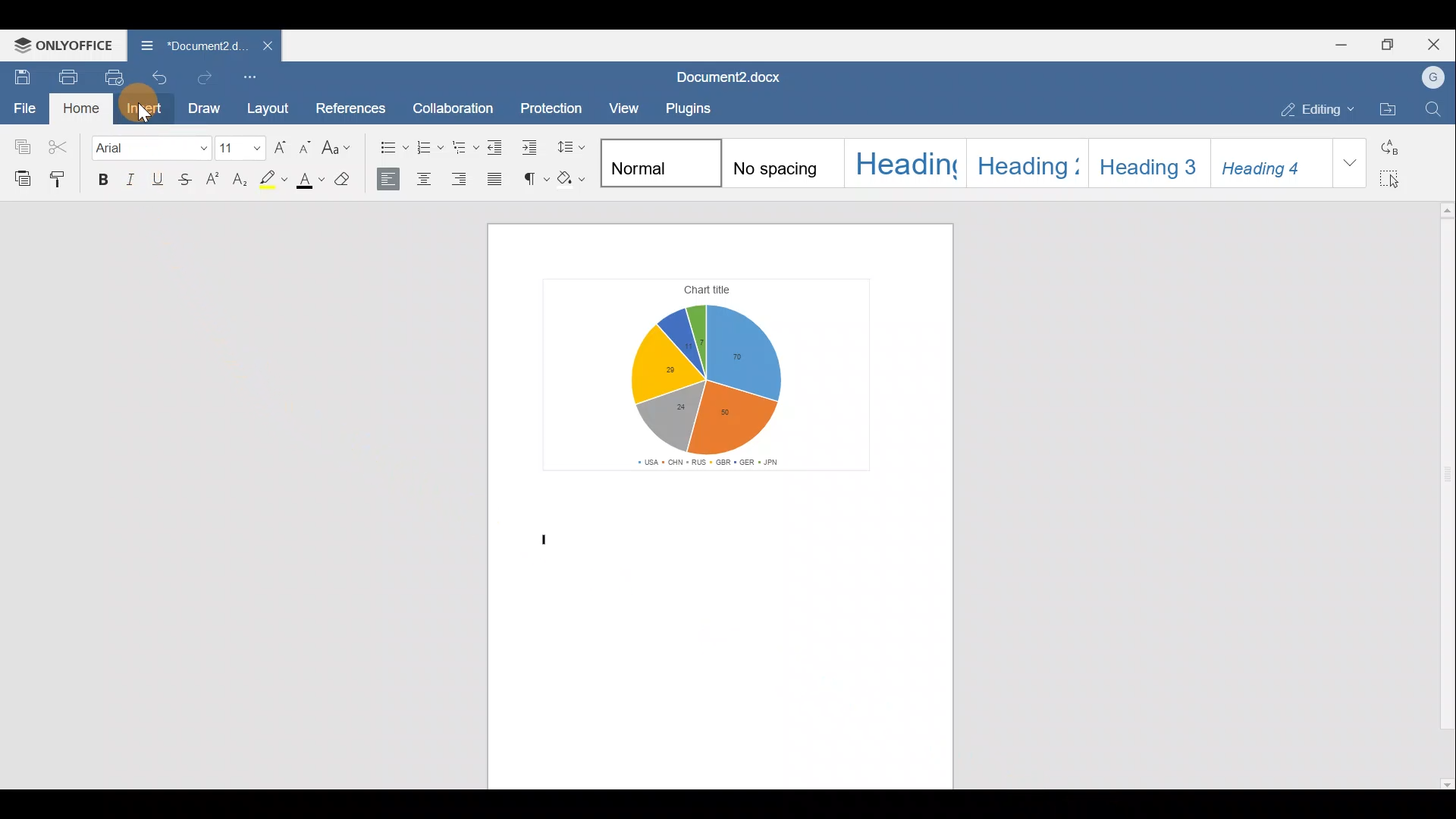 The height and width of the screenshot is (819, 1456). Describe the element at coordinates (720, 504) in the screenshot. I see `Work area` at that location.